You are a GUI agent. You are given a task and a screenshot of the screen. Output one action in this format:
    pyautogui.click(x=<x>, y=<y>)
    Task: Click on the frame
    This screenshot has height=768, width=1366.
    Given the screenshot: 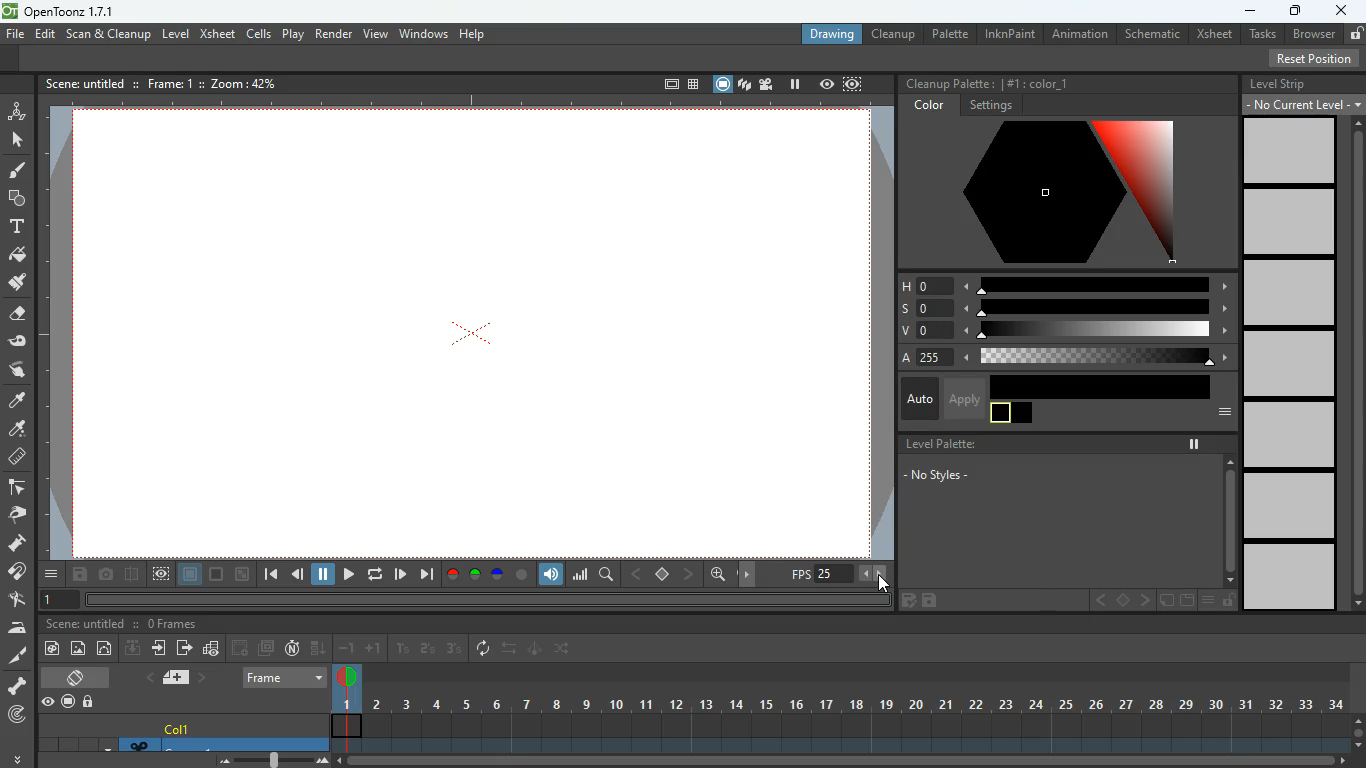 What is the action you would take?
    pyautogui.click(x=851, y=84)
    